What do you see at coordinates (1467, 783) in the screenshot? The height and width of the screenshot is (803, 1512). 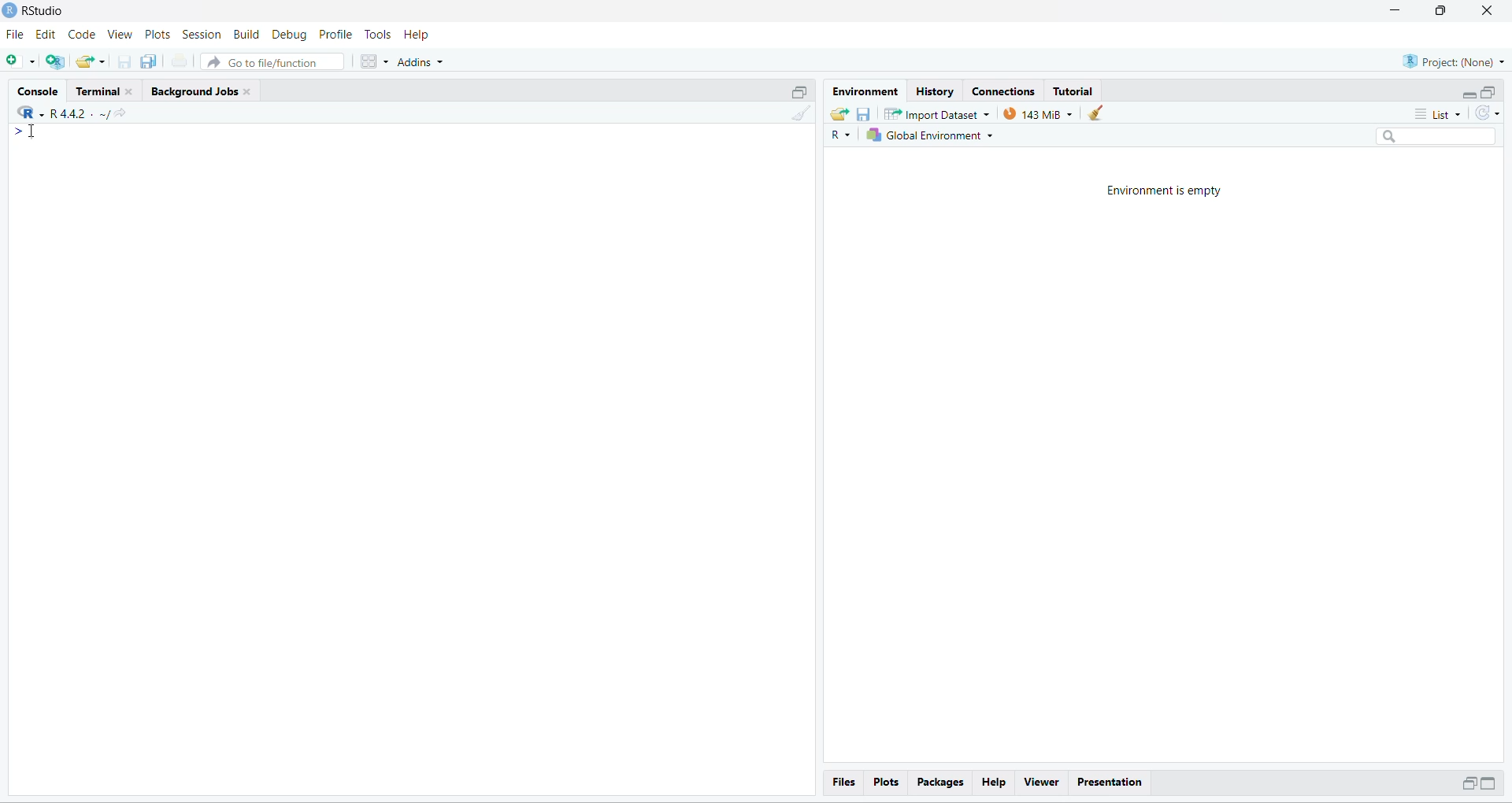 I see `open in separate window` at bounding box center [1467, 783].